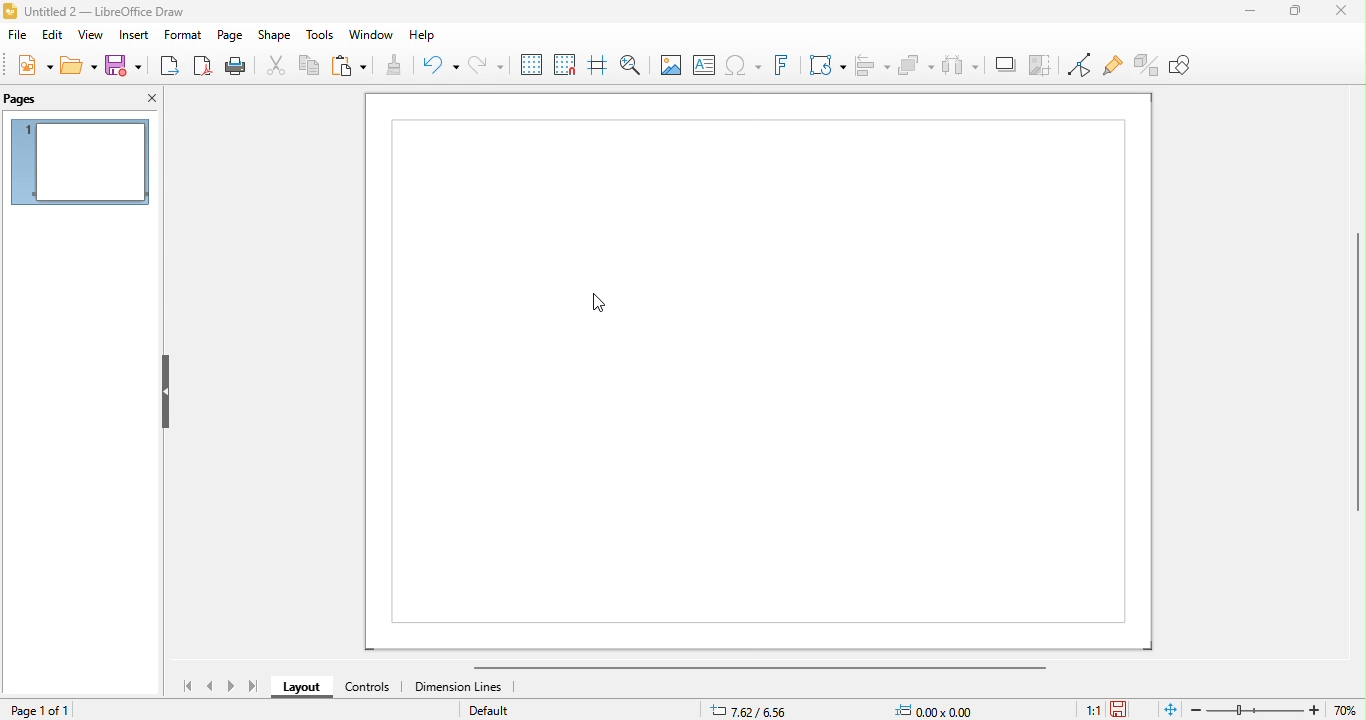 This screenshot has height=720, width=1366. Describe the element at coordinates (1112, 67) in the screenshot. I see `show gulepoint functions` at that location.